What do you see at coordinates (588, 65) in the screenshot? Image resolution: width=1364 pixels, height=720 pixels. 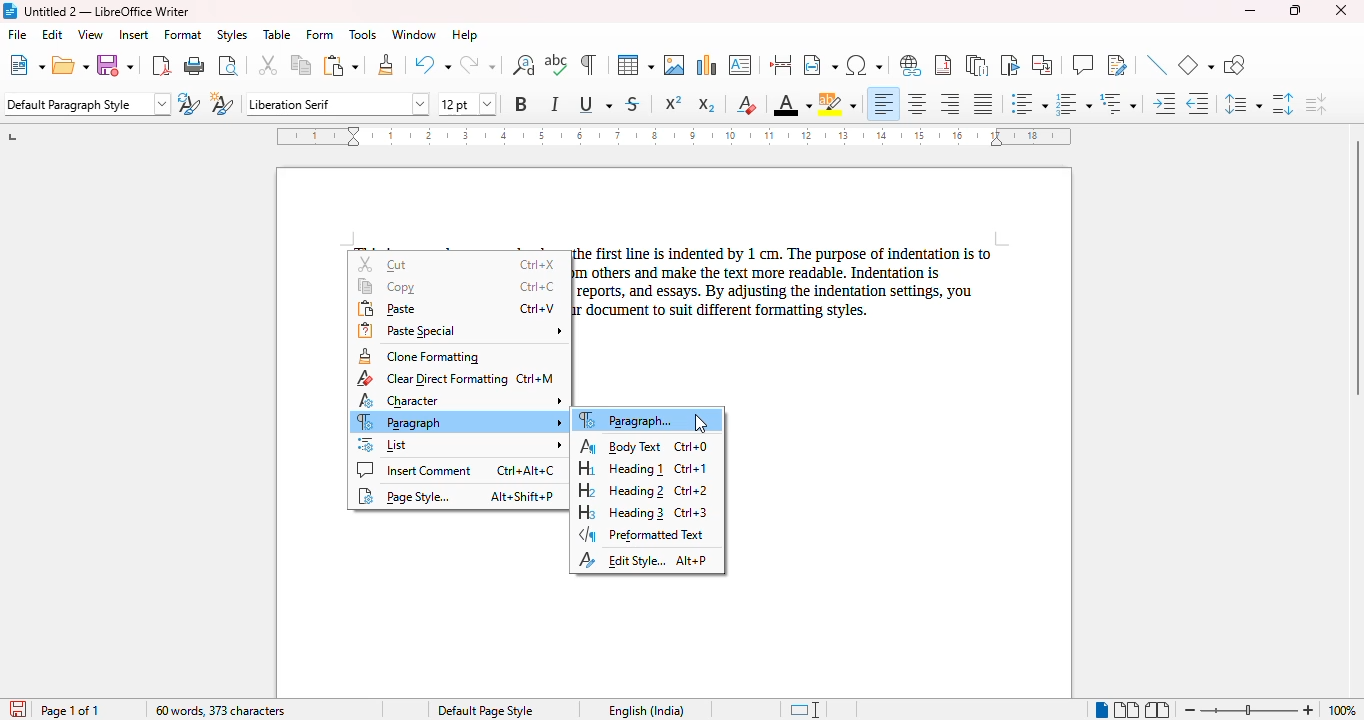 I see `toggle formatting marks` at bounding box center [588, 65].